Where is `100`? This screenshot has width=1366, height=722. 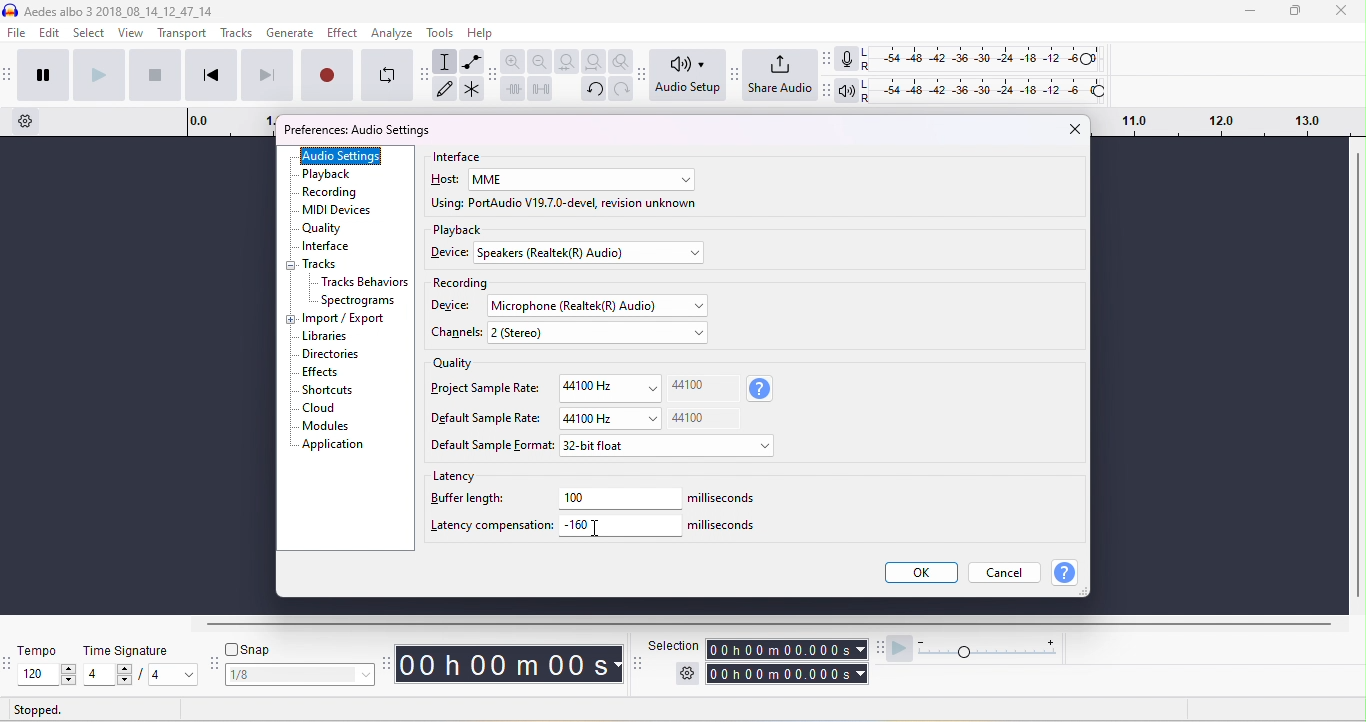
100 is located at coordinates (621, 498).